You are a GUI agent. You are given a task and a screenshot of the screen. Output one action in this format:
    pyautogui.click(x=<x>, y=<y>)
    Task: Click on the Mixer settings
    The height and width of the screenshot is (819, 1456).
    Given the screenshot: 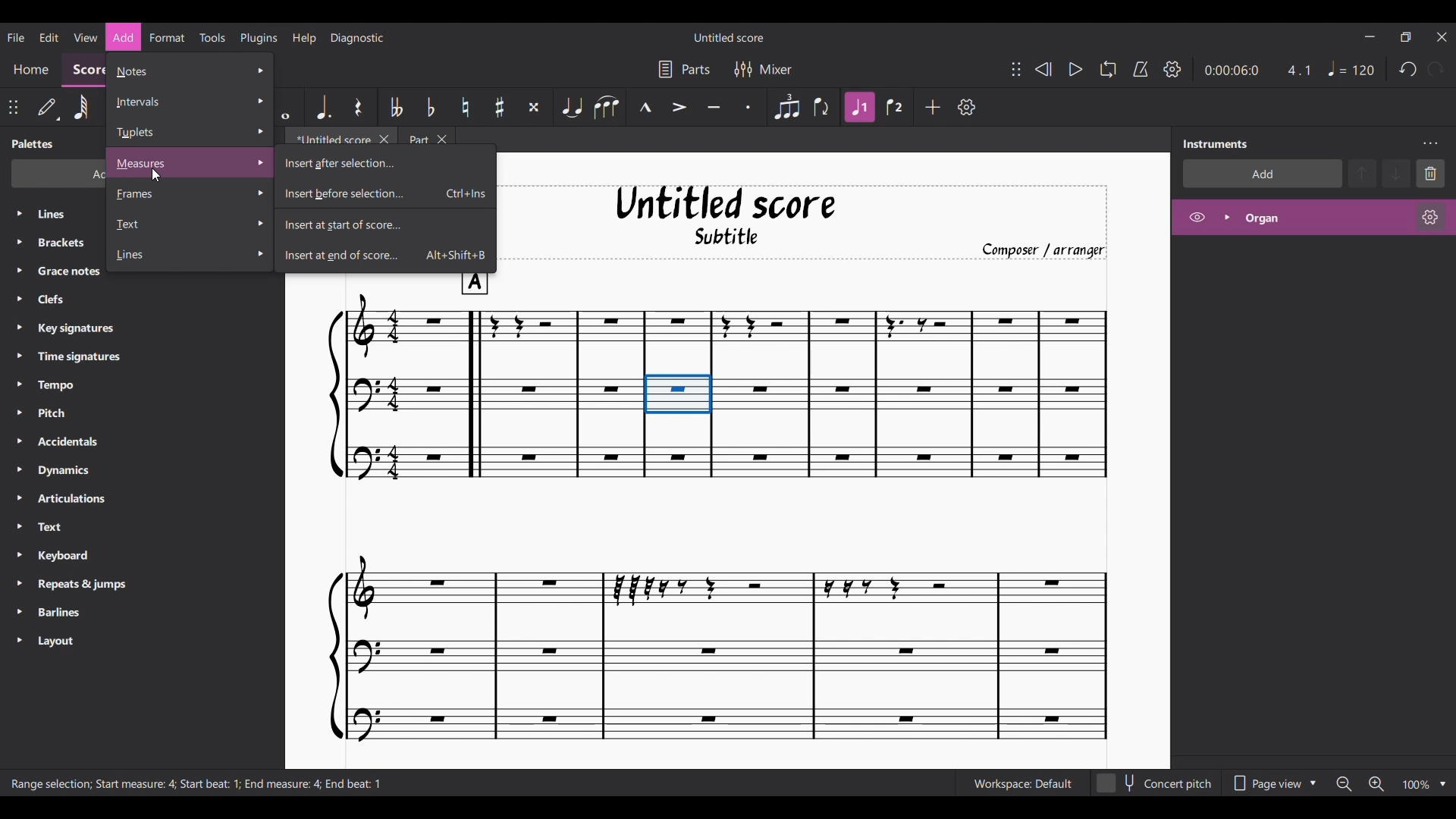 What is the action you would take?
    pyautogui.click(x=763, y=70)
    